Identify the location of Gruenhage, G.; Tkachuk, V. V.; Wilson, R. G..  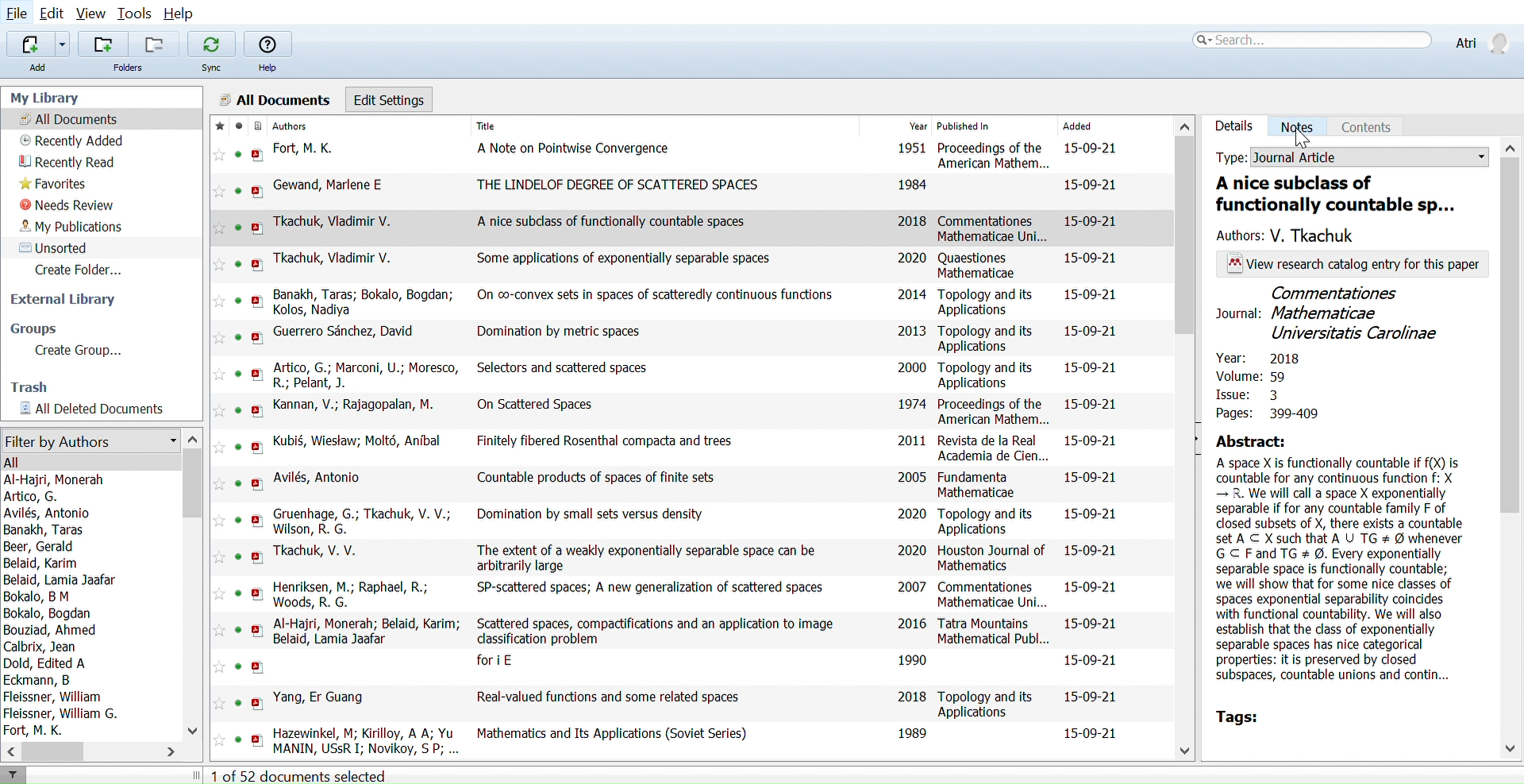
(364, 521).